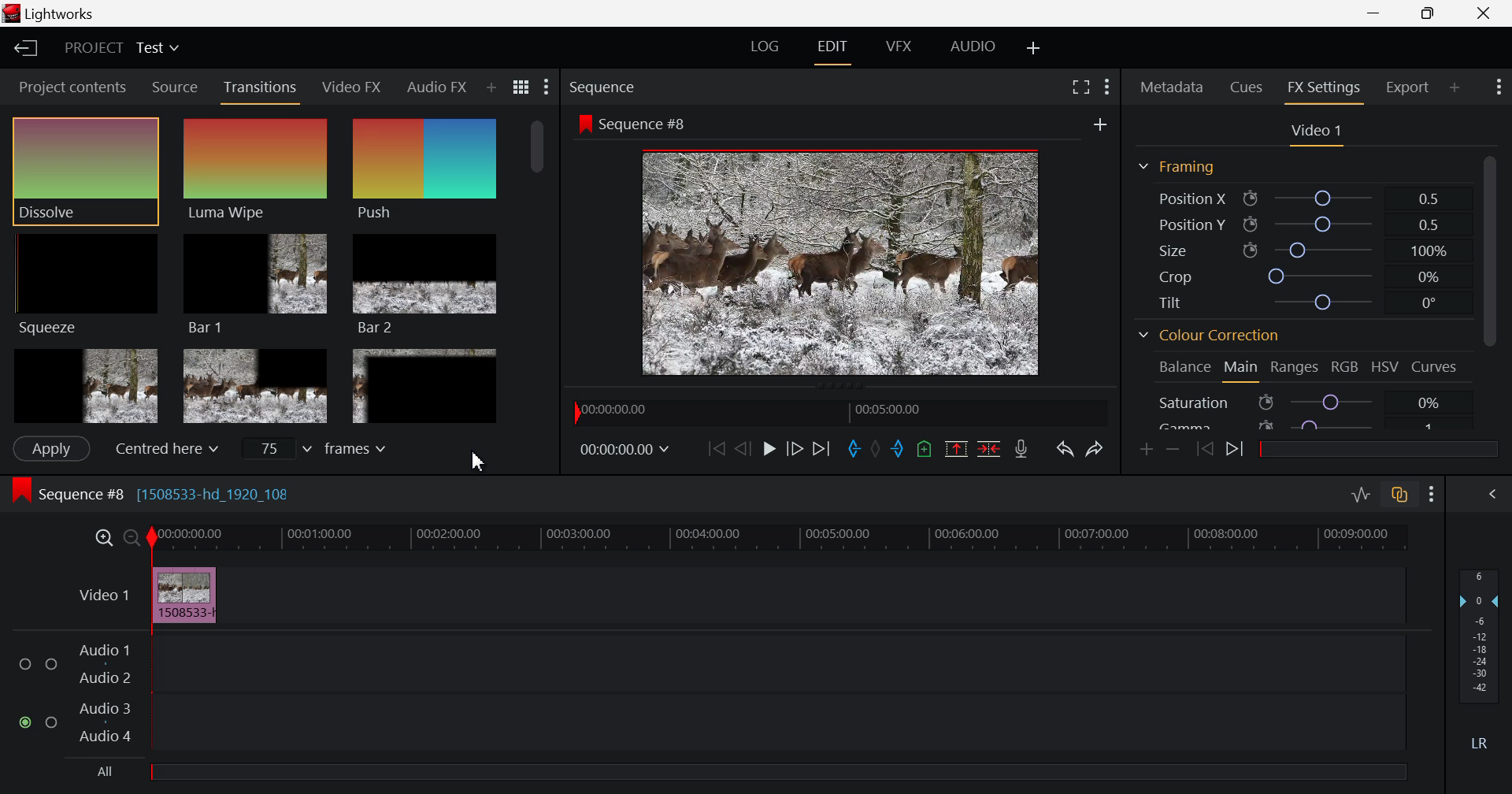 The image size is (1512, 794). What do you see at coordinates (172, 87) in the screenshot?
I see `Source` at bounding box center [172, 87].